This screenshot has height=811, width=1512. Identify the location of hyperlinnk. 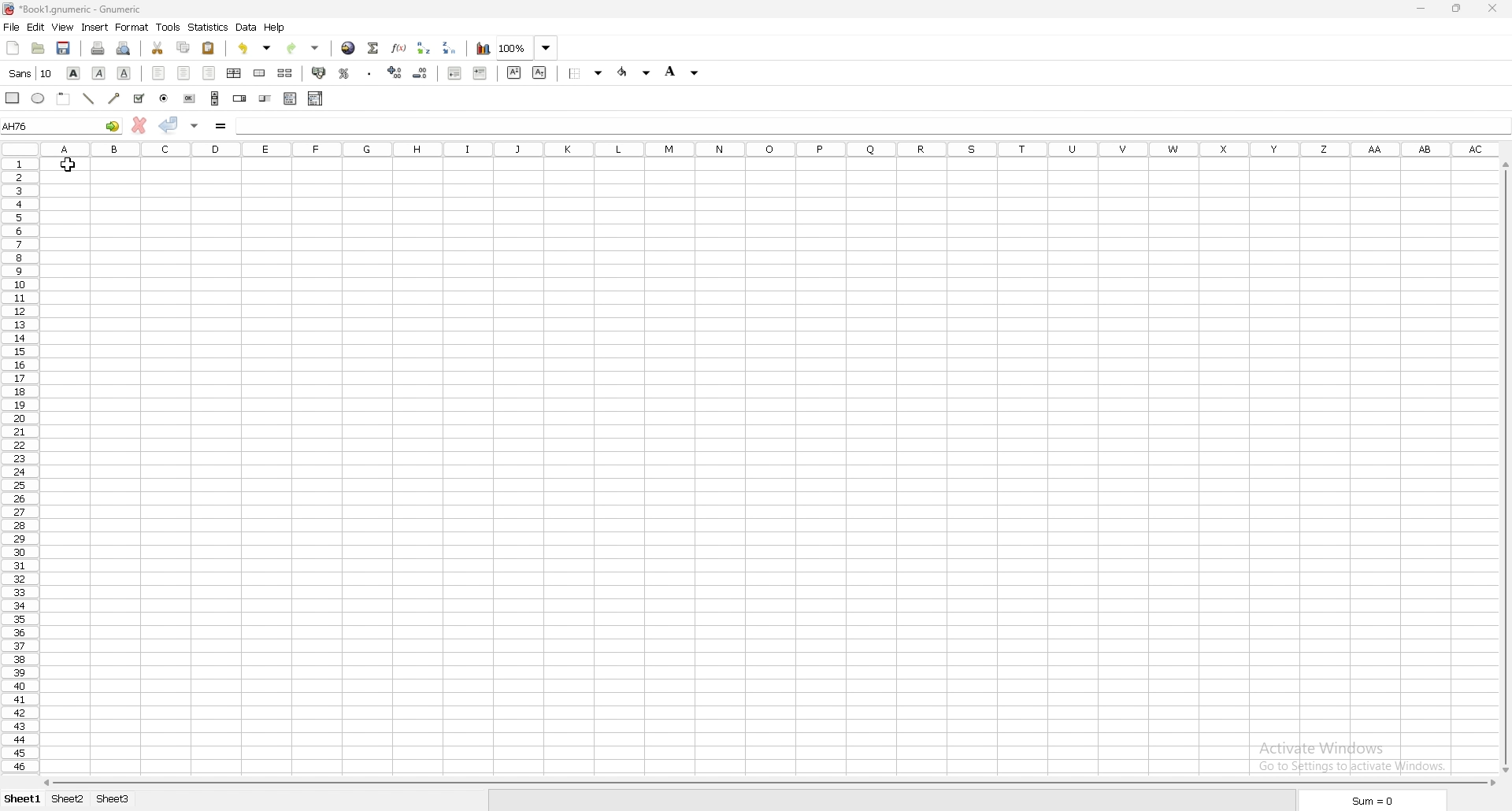
(349, 47).